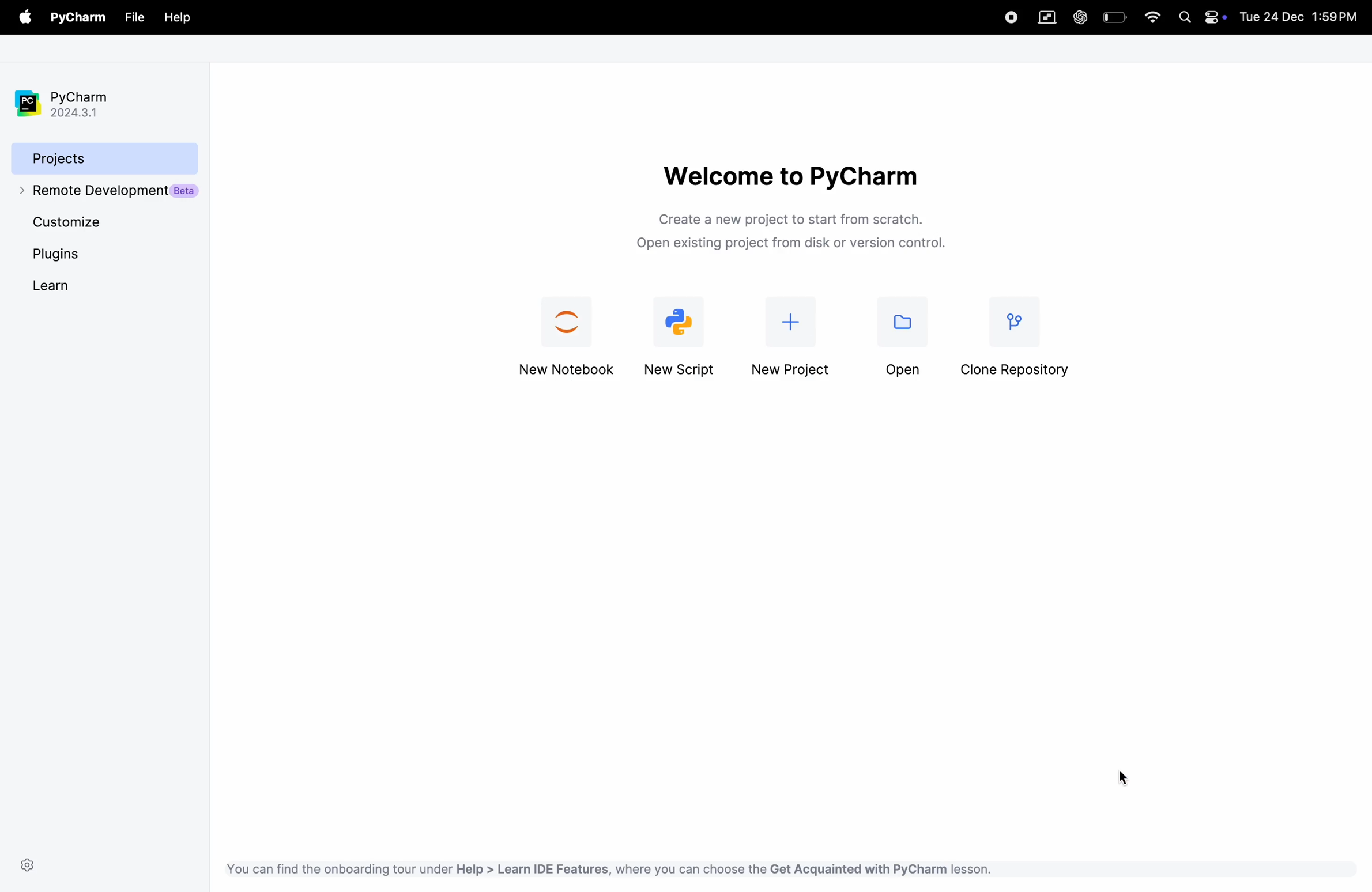  I want to click on projects, so click(89, 158).